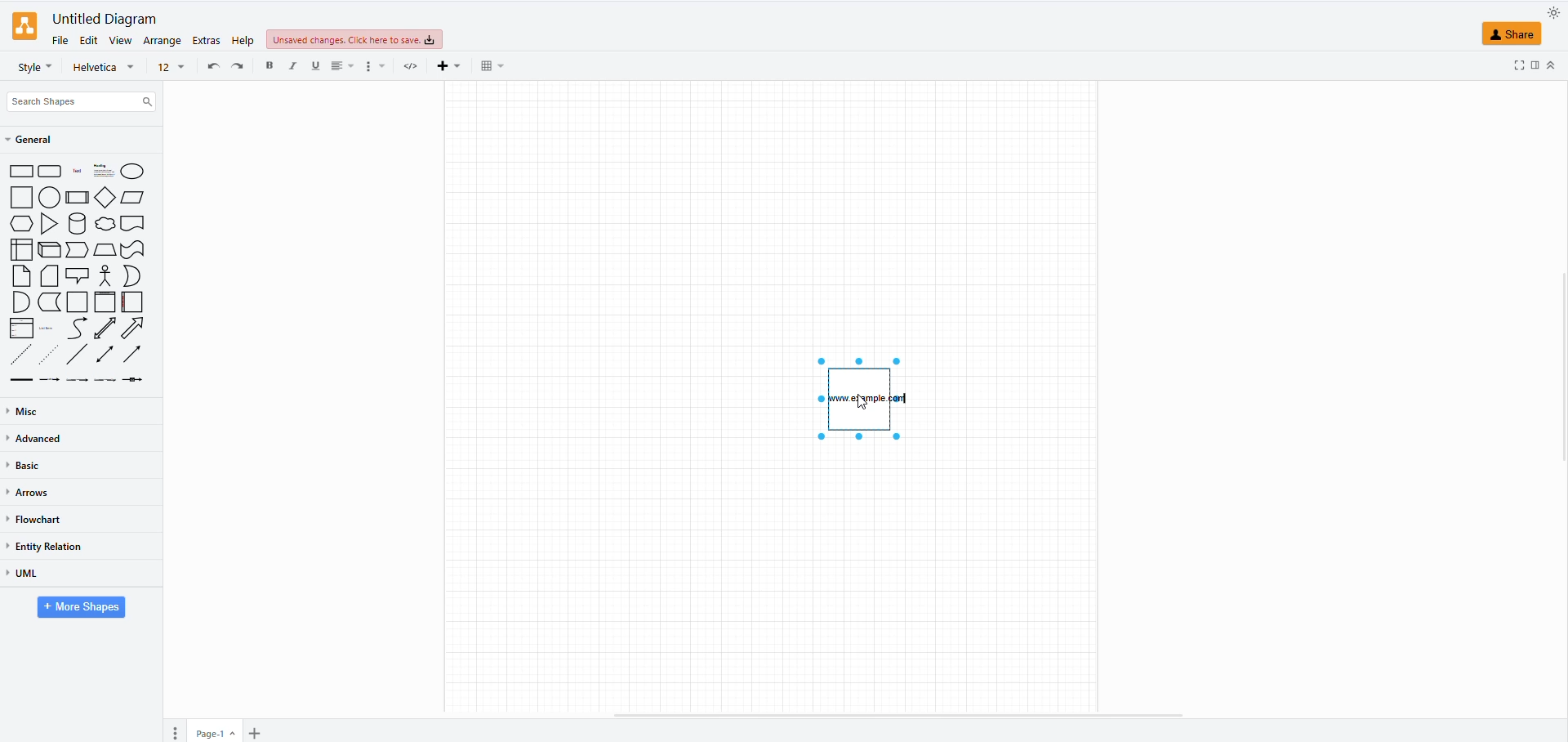  What do you see at coordinates (492, 65) in the screenshot?
I see `table` at bounding box center [492, 65].